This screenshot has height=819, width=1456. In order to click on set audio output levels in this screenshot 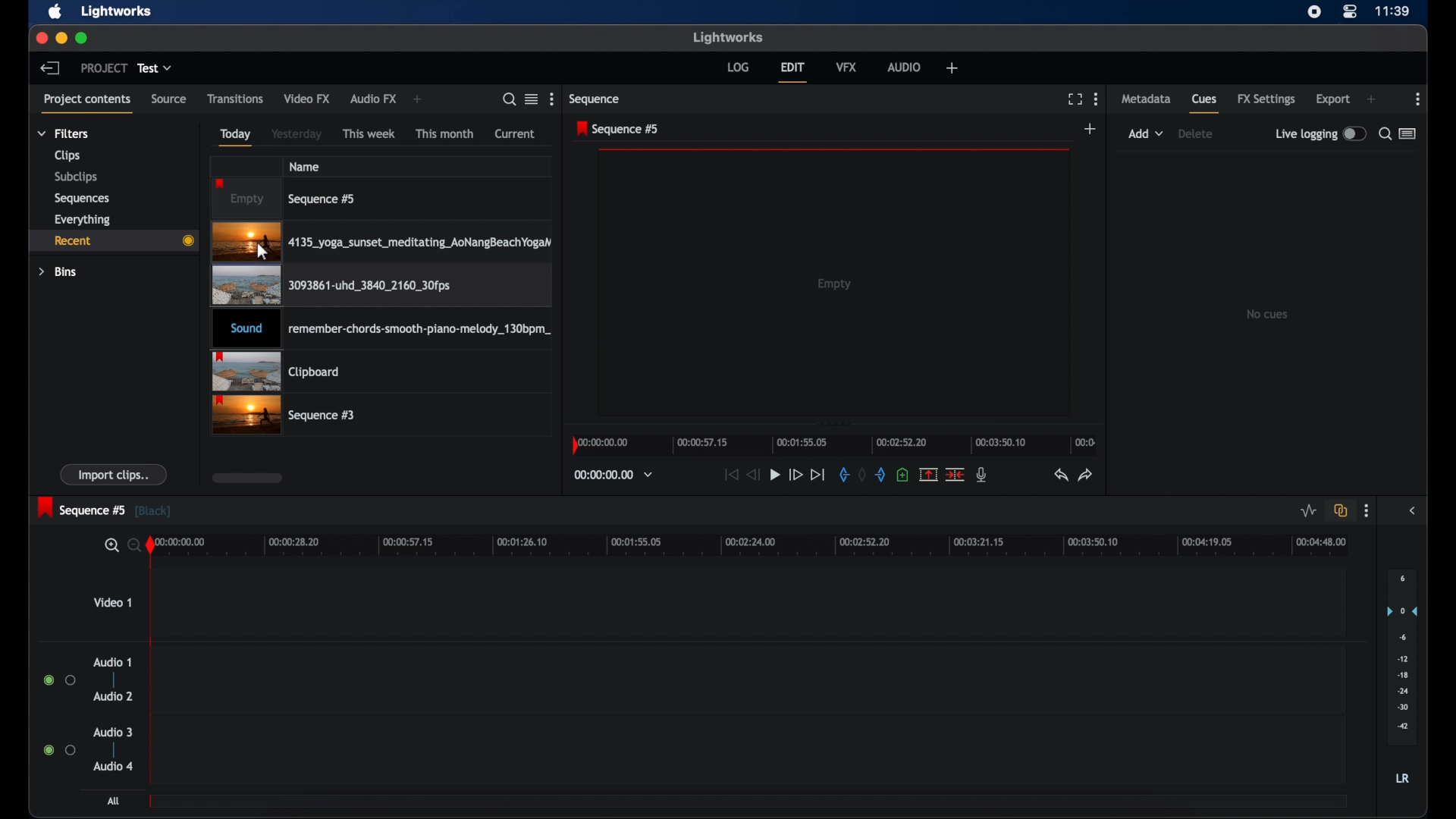, I will do `click(1401, 657)`.